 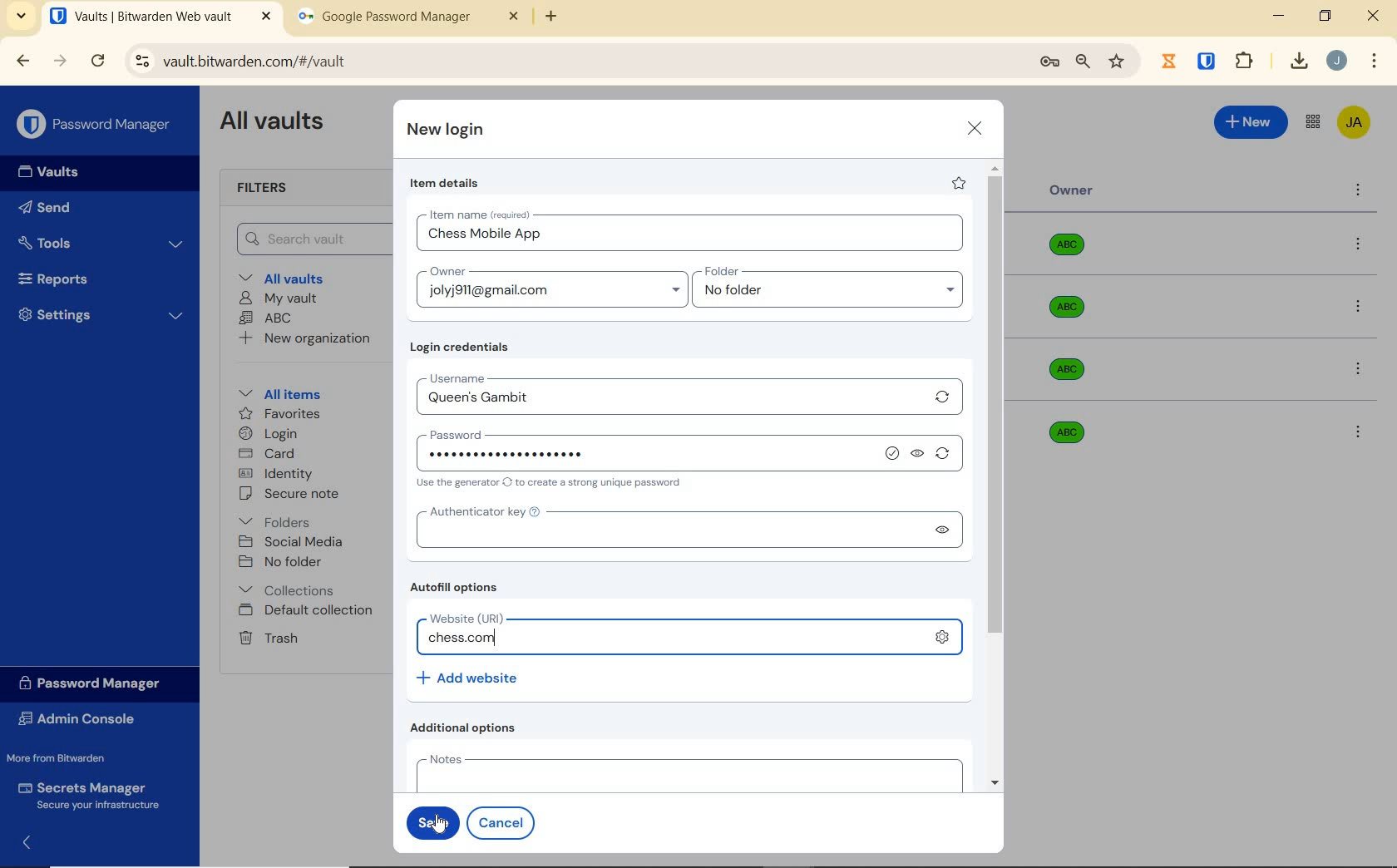 What do you see at coordinates (439, 825) in the screenshot?
I see `cursor` at bounding box center [439, 825].